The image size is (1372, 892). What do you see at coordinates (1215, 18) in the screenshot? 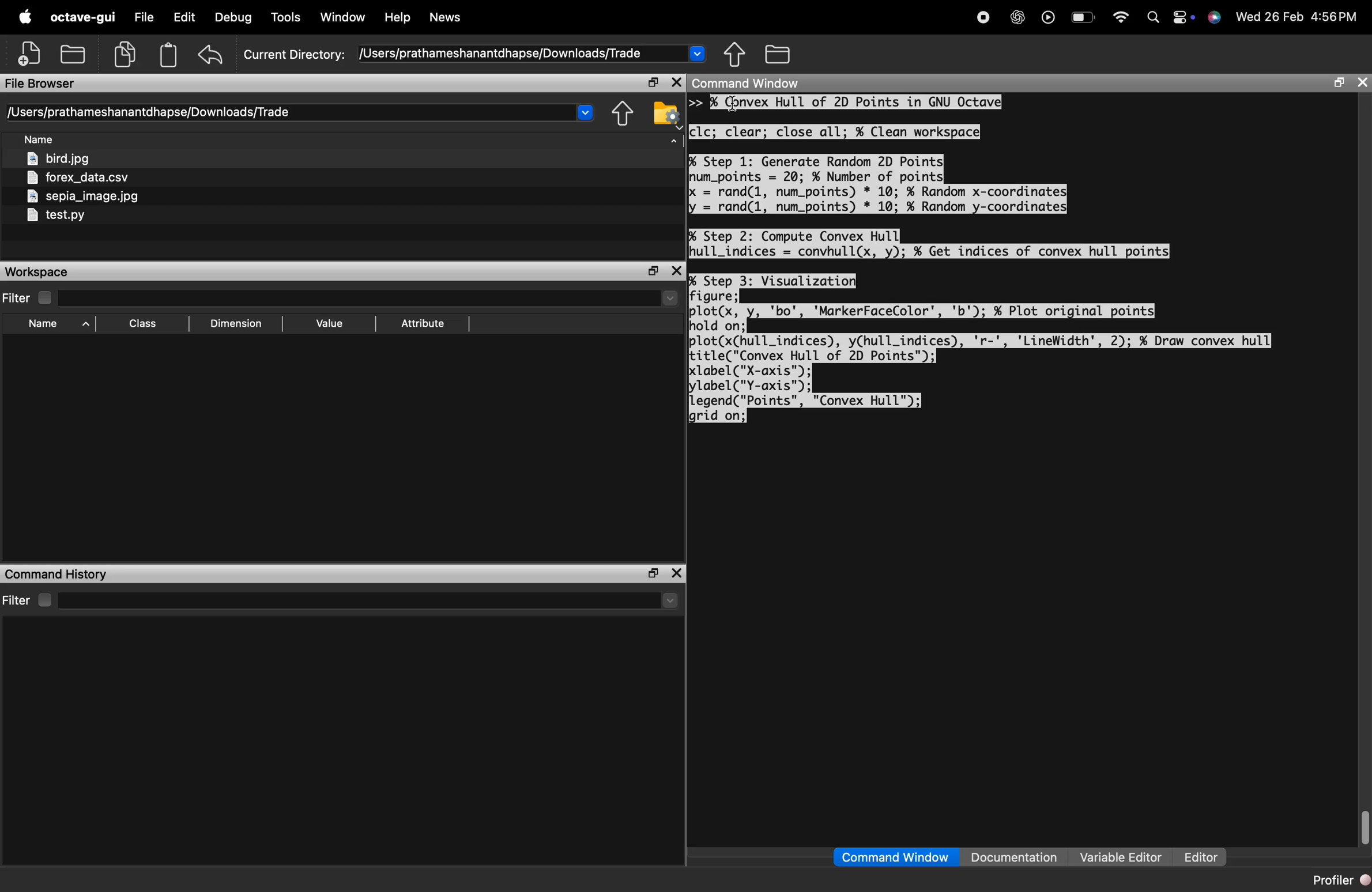
I see `support` at bounding box center [1215, 18].